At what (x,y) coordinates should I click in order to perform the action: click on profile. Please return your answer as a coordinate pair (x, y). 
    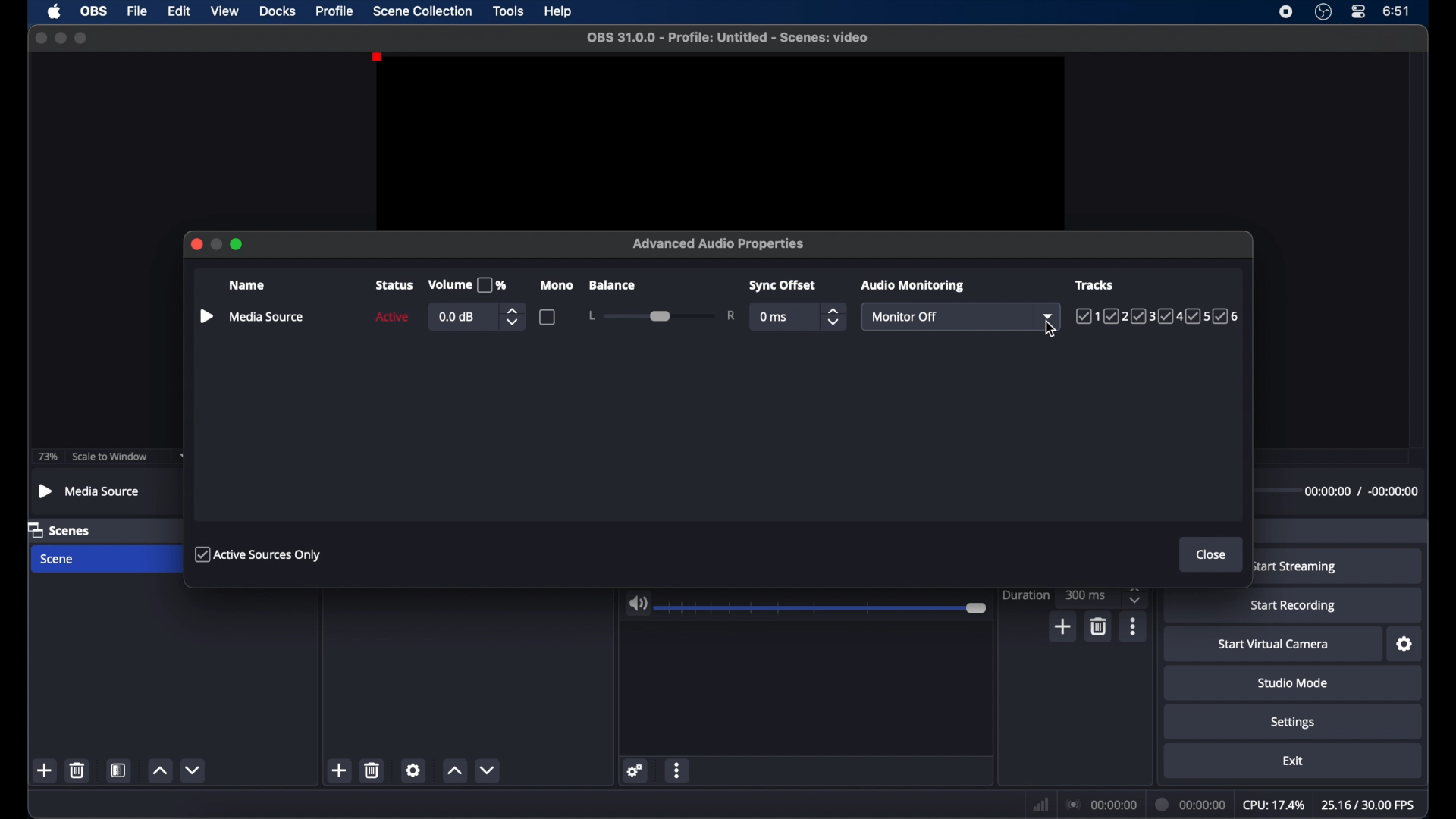
    Looking at the image, I should click on (335, 11).